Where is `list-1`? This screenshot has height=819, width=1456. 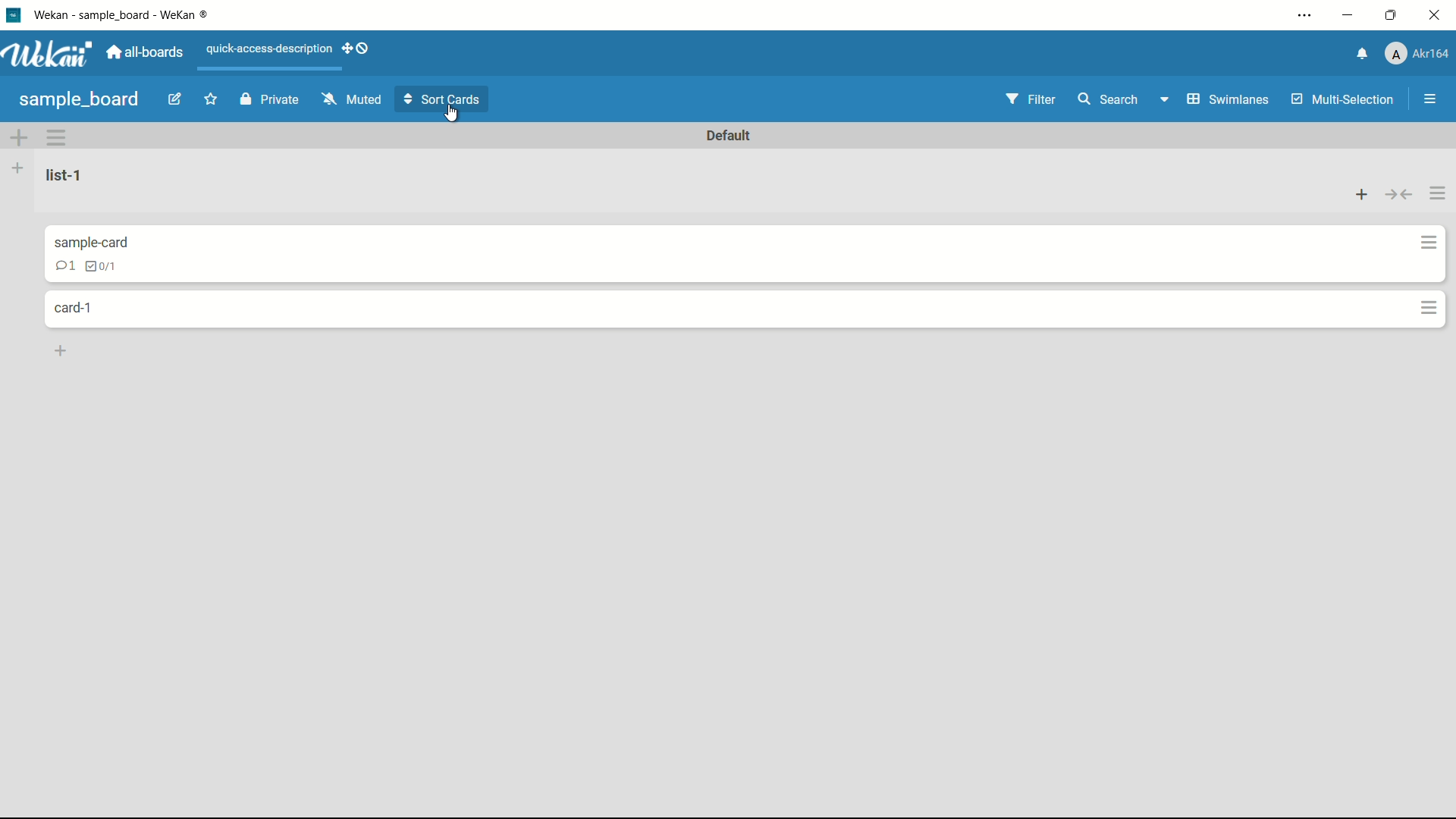
list-1 is located at coordinates (66, 175).